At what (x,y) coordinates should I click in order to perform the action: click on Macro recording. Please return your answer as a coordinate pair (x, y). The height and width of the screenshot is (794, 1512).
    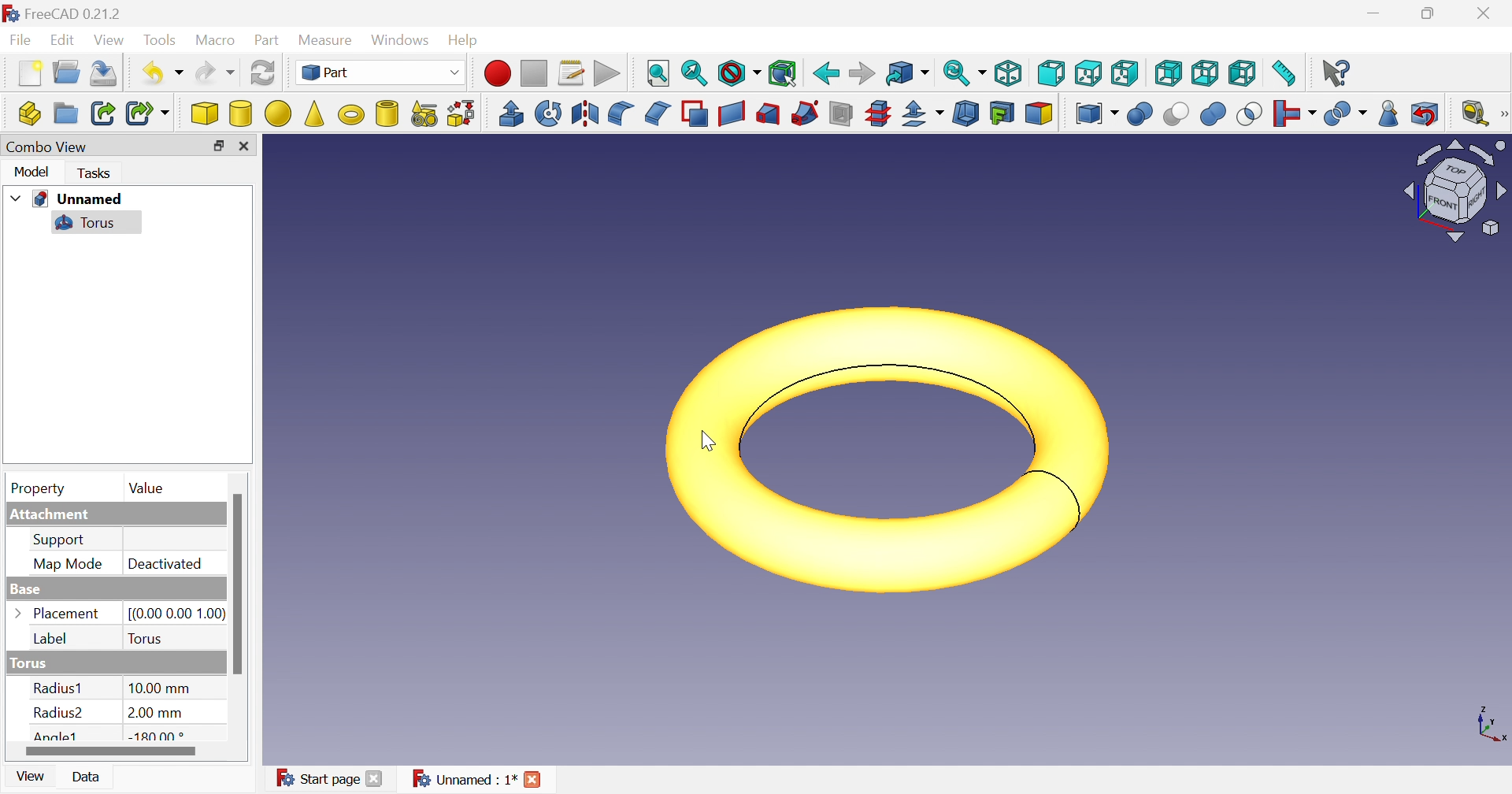
    Looking at the image, I should click on (500, 73).